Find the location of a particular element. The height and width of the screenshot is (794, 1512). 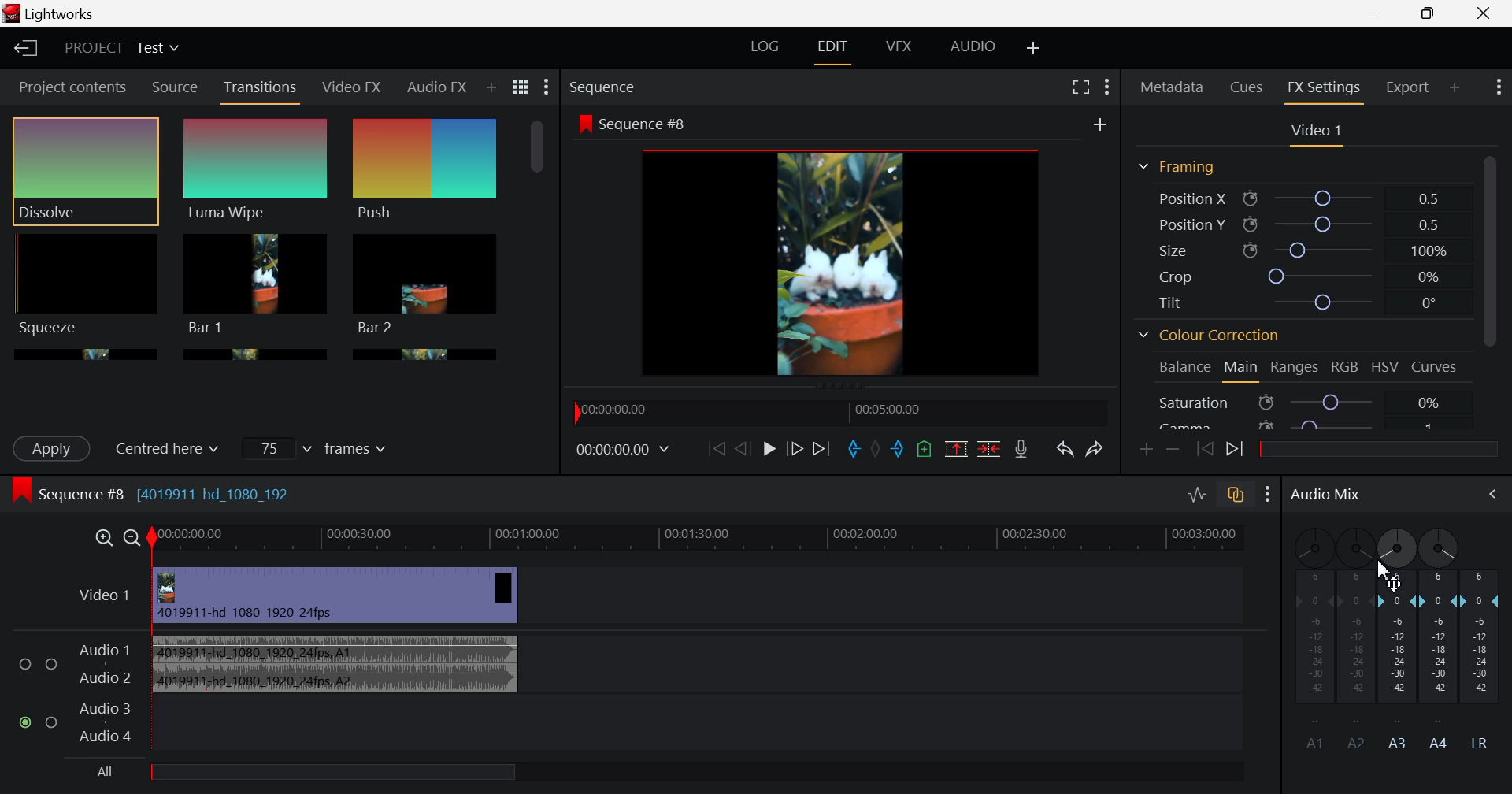

HSV is located at coordinates (1385, 369).